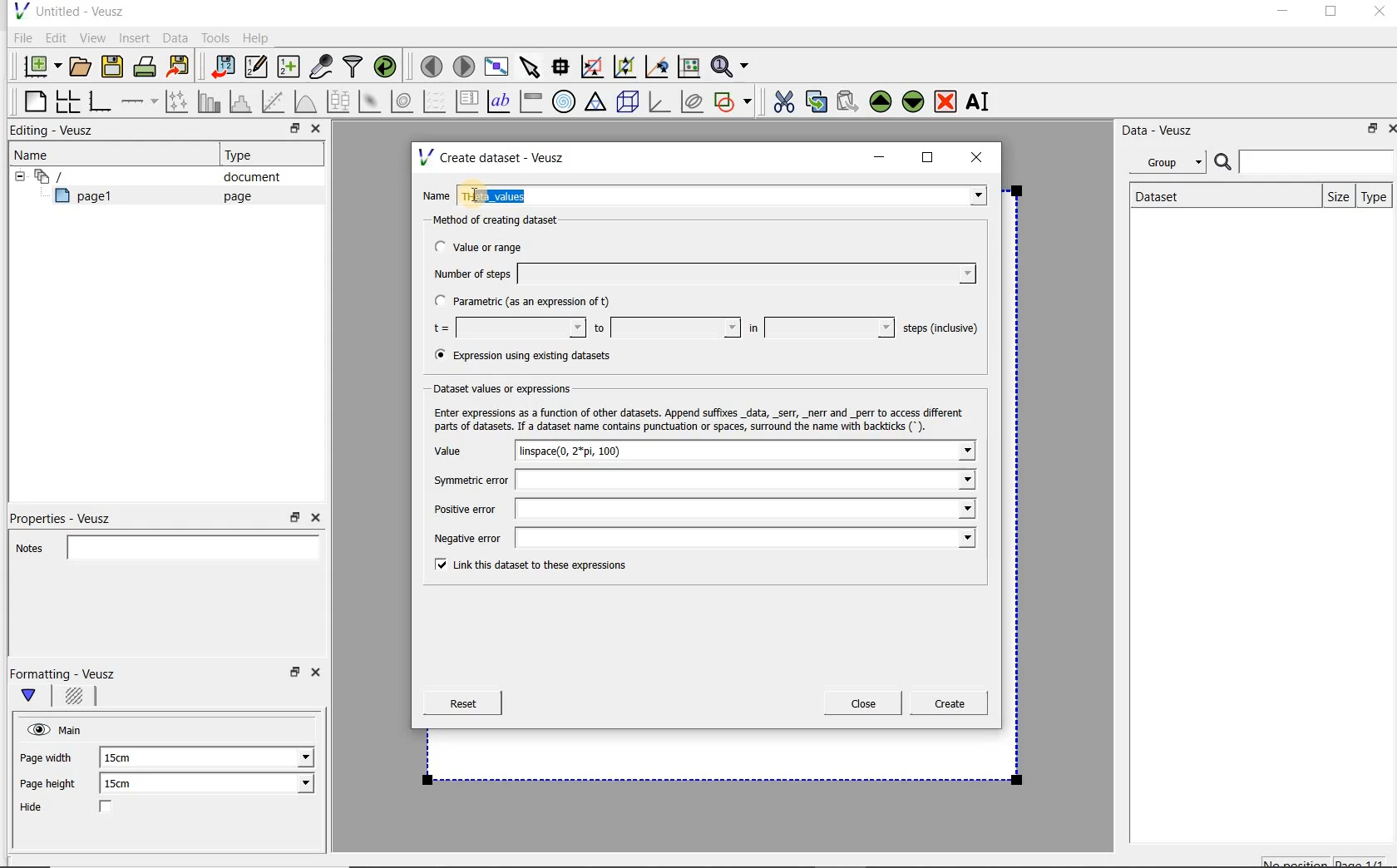  Describe the element at coordinates (511, 388) in the screenshot. I see `Dataset values or expressions` at that location.